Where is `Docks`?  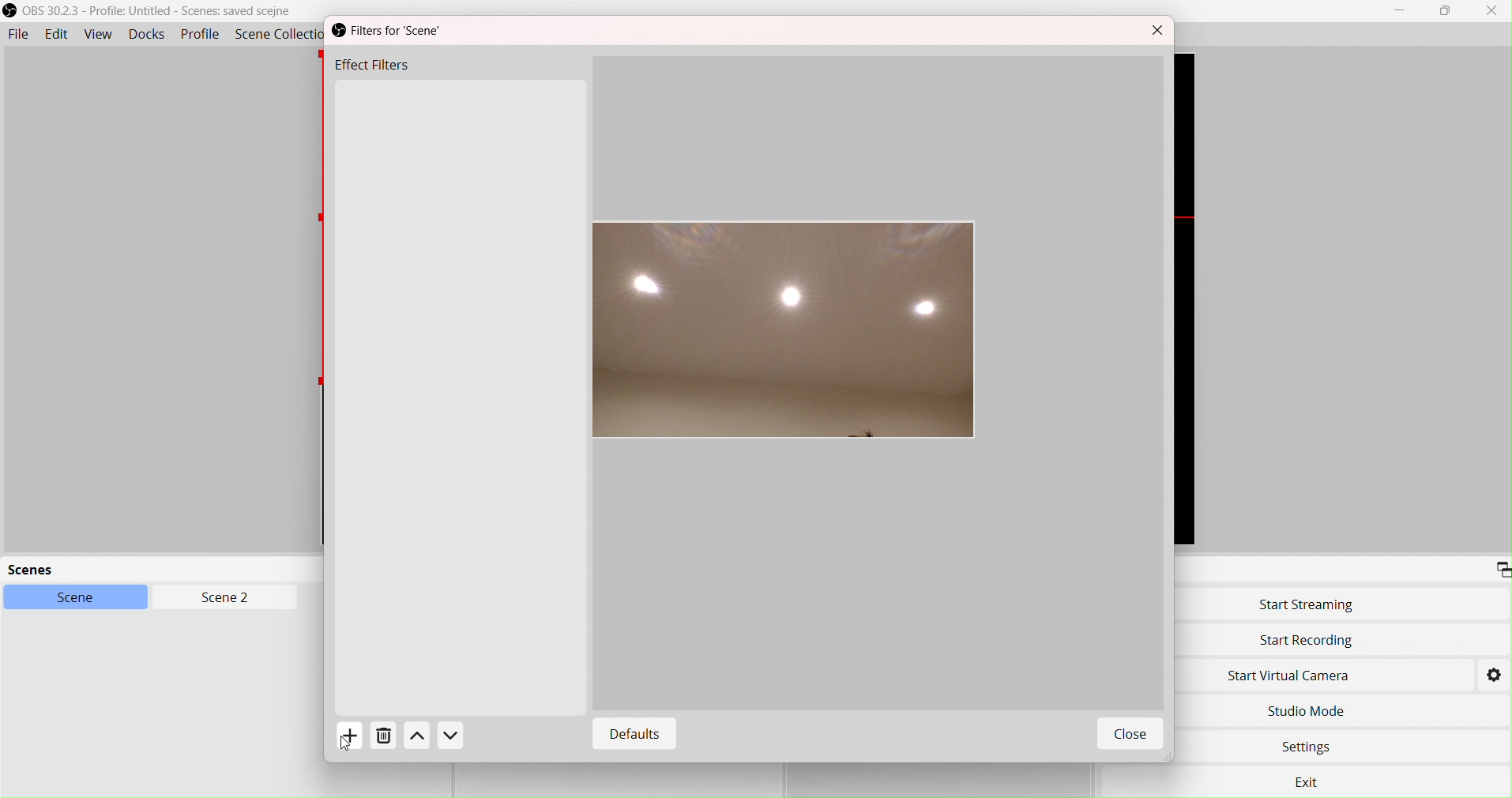
Docks is located at coordinates (151, 36).